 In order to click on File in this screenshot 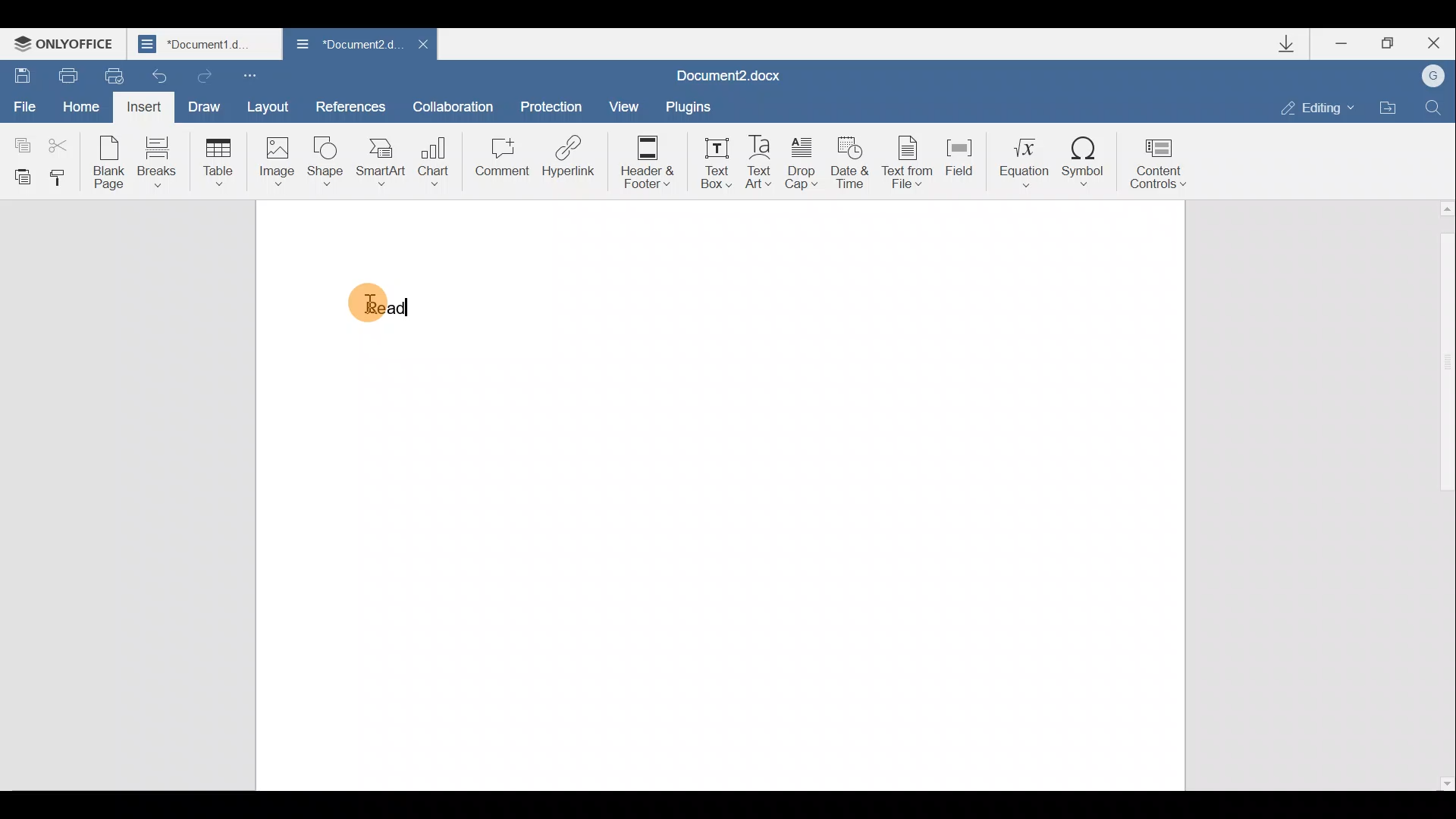, I will do `click(23, 101)`.